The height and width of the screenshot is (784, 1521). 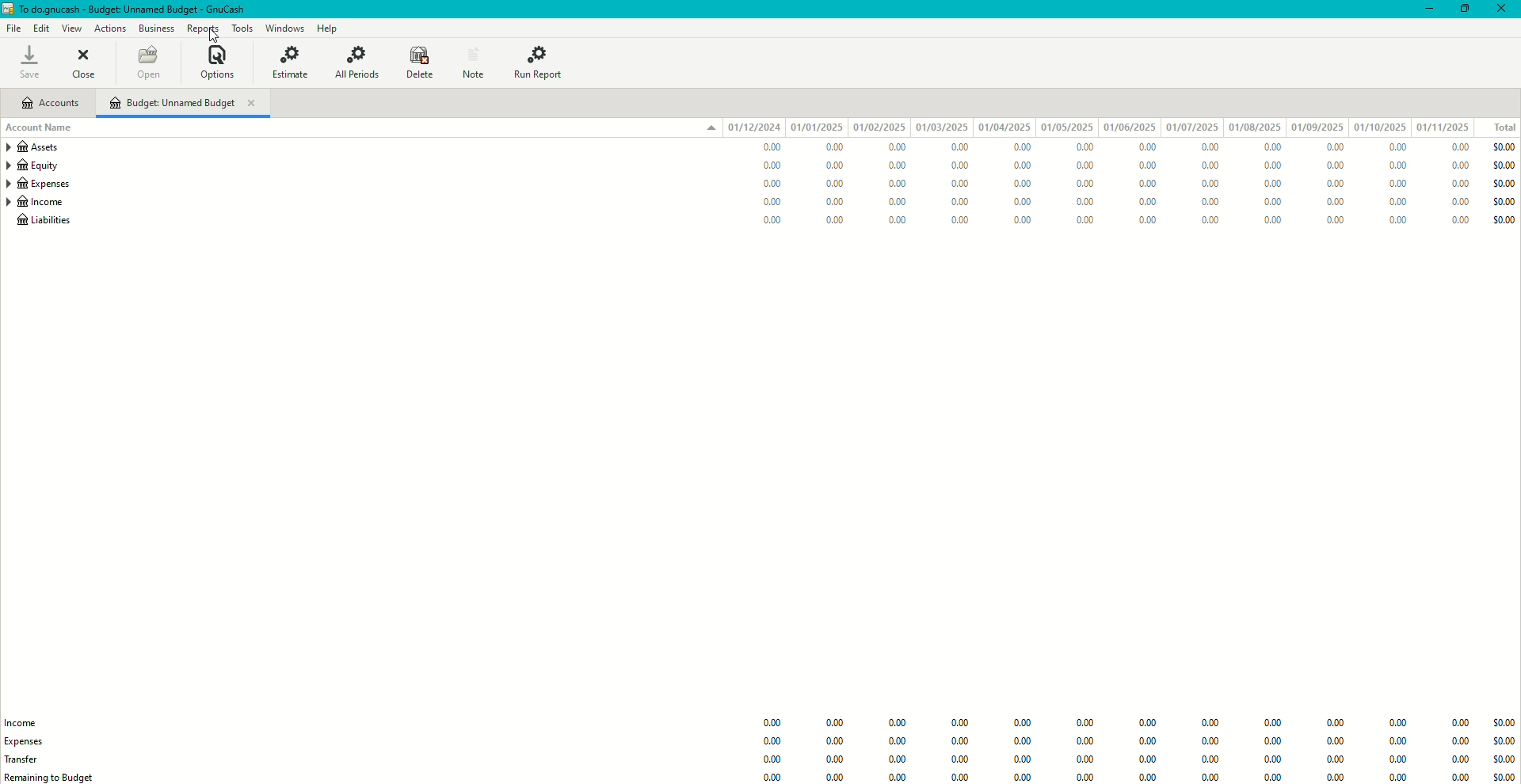 What do you see at coordinates (1397, 165) in the screenshot?
I see `0.00` at bounding box center [1397, 165].